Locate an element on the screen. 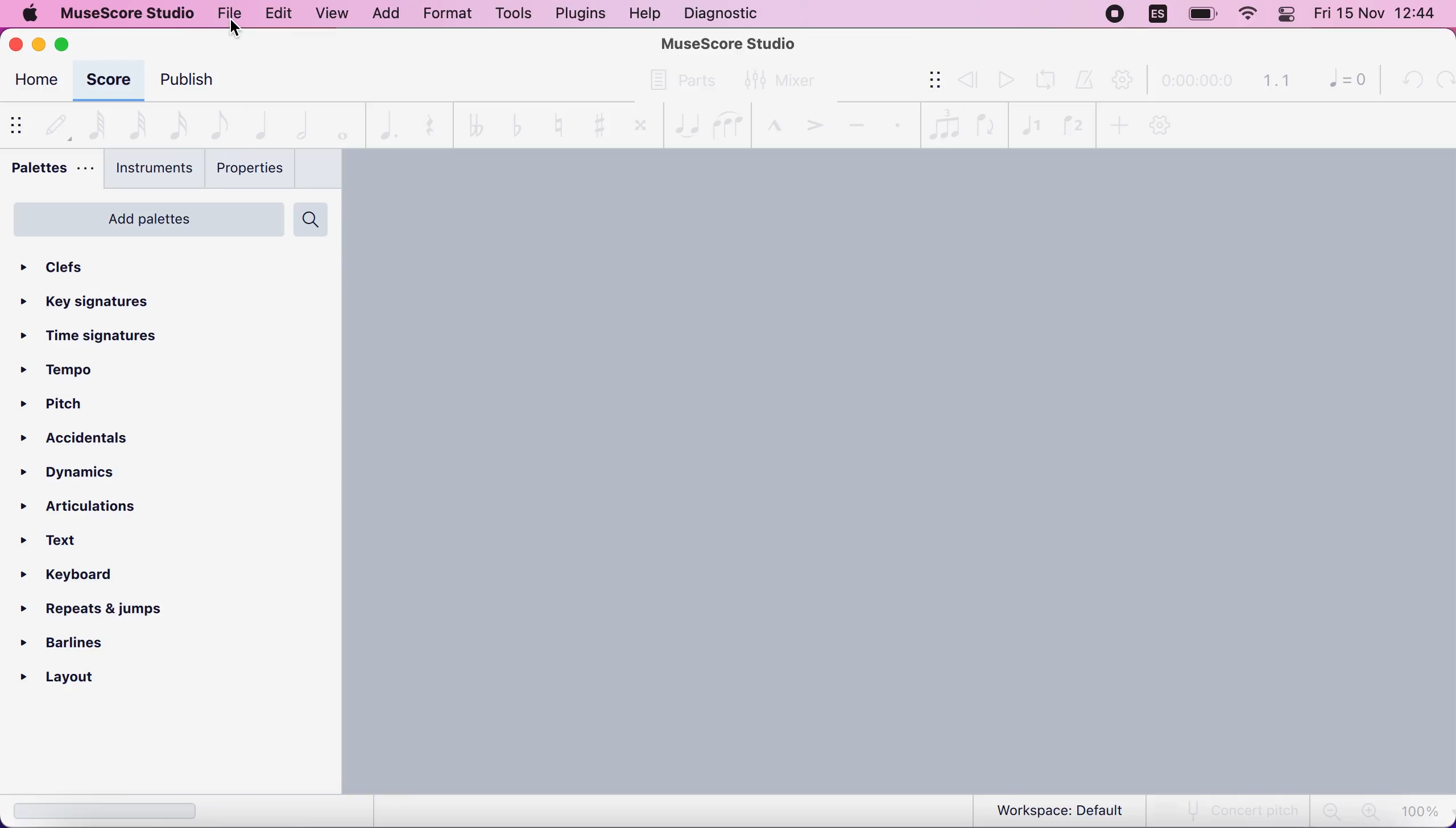 The height and width of the screenshot is (828, 1456). plugins is located at coordinates (579, 14).